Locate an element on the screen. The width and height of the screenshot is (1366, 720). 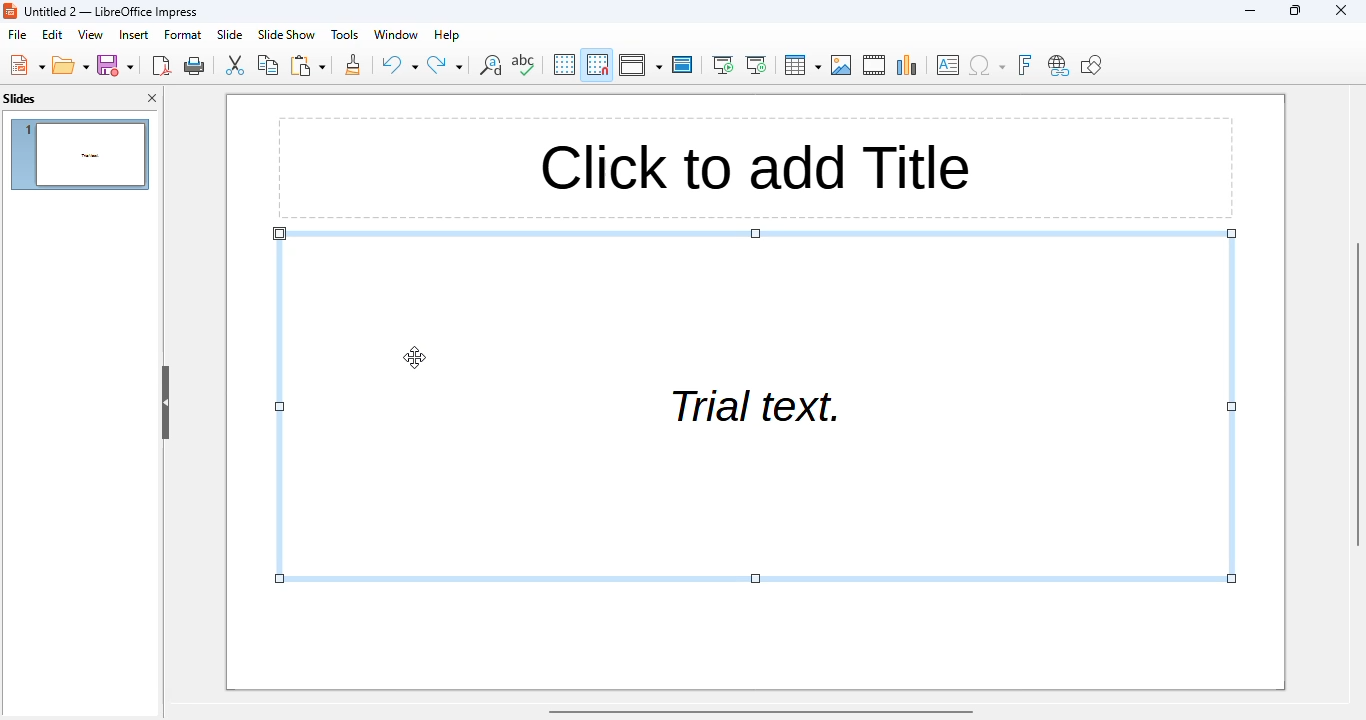
maximize is located at coordinates (1295, 9).